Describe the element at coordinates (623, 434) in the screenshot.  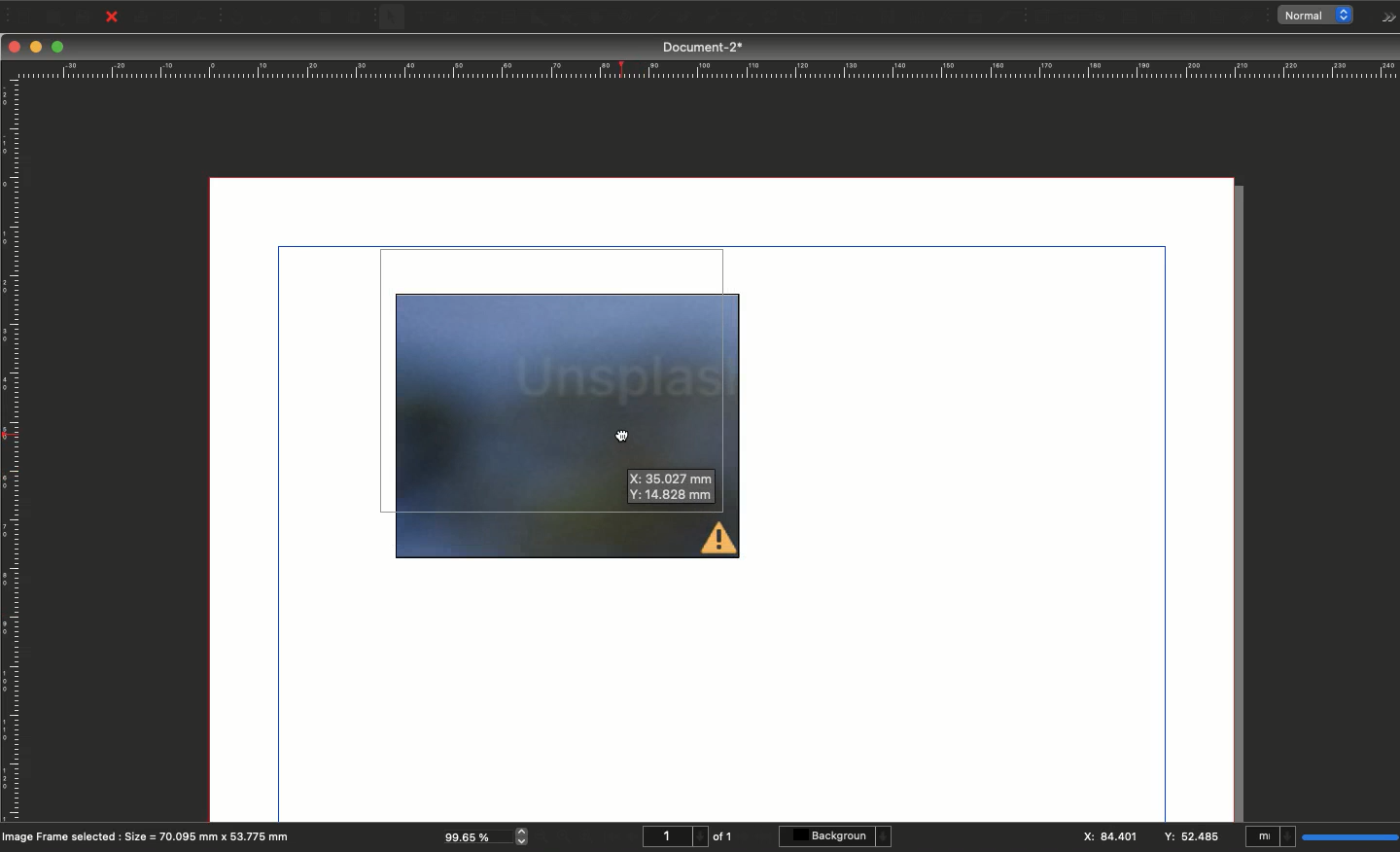
I see `cursor` at that location.